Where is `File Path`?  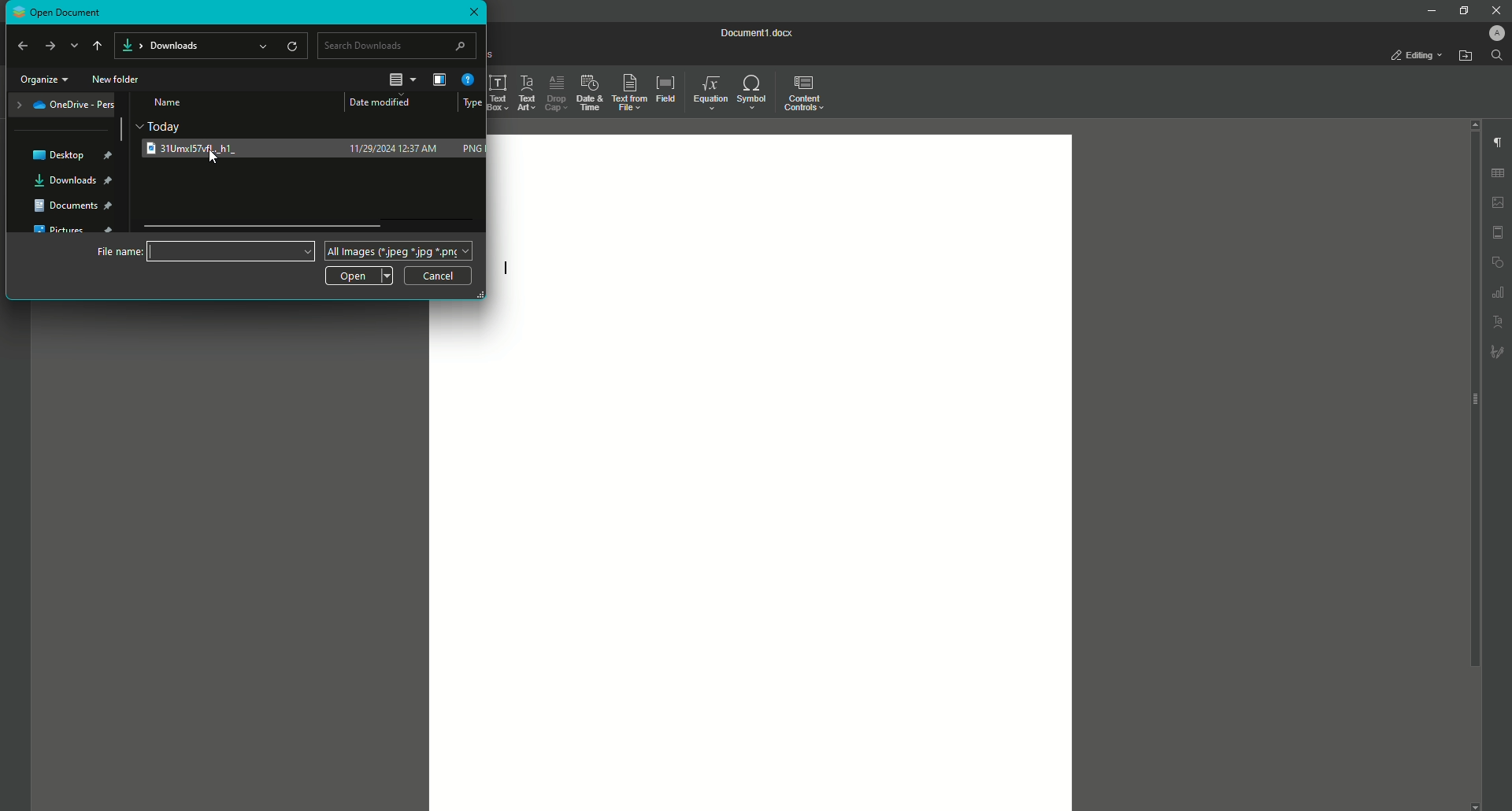 File Path is located at coordinates (209, 46).